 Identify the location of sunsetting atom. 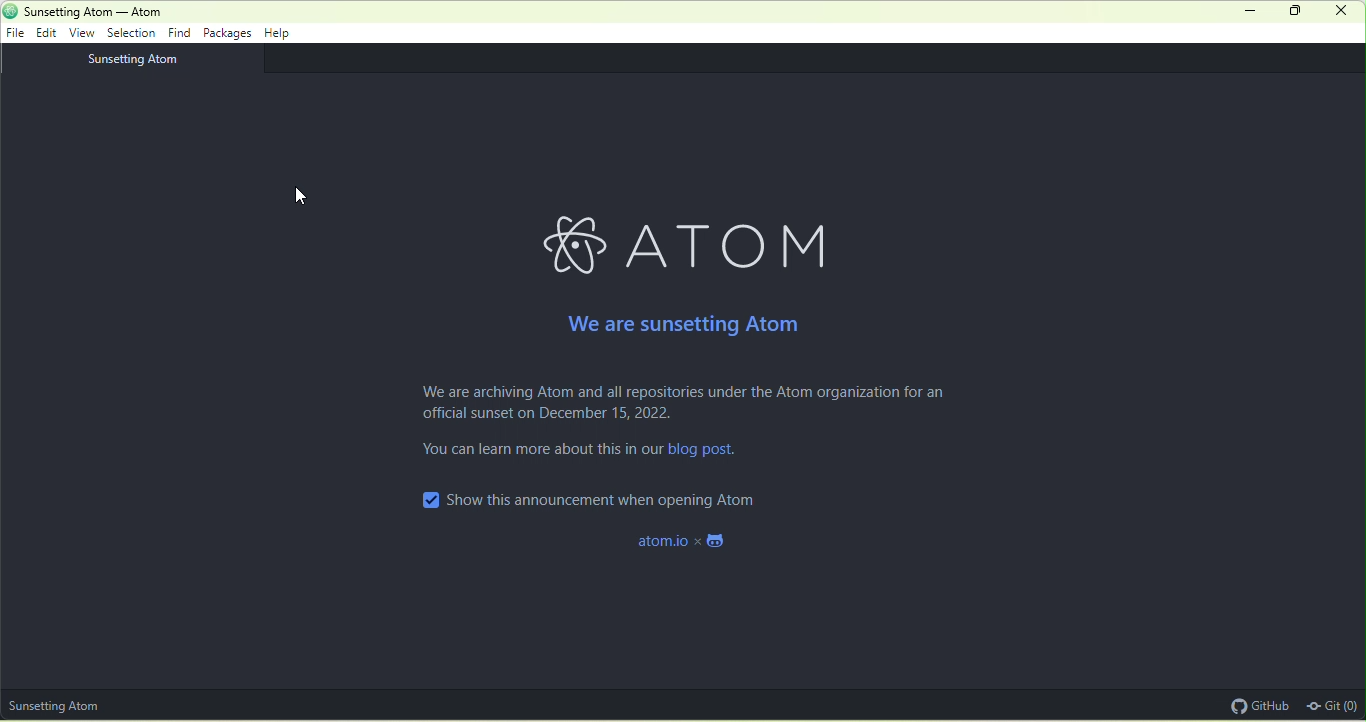
(149, 60).